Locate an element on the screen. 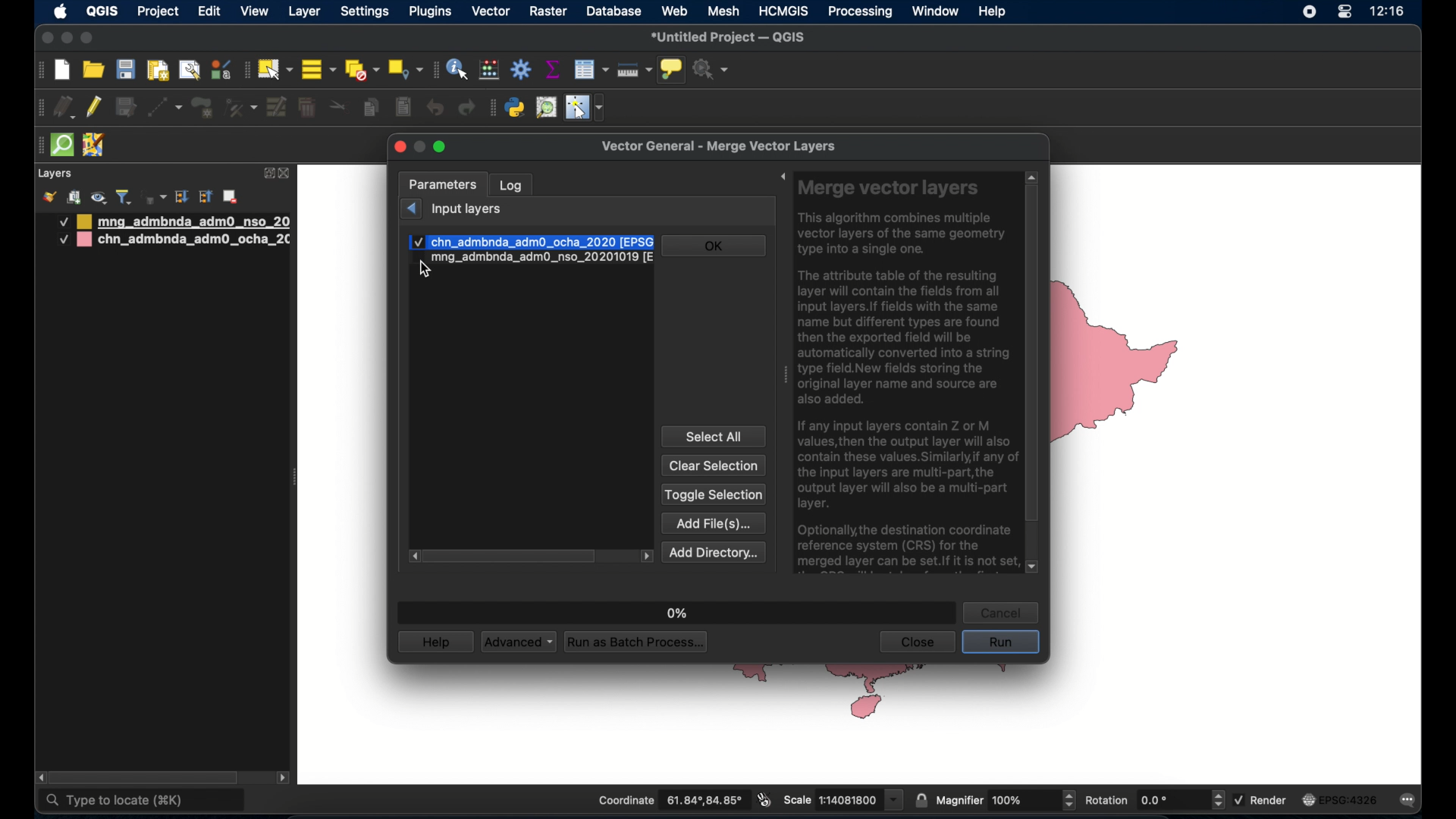  mesh is located at coordinates (724, 11).